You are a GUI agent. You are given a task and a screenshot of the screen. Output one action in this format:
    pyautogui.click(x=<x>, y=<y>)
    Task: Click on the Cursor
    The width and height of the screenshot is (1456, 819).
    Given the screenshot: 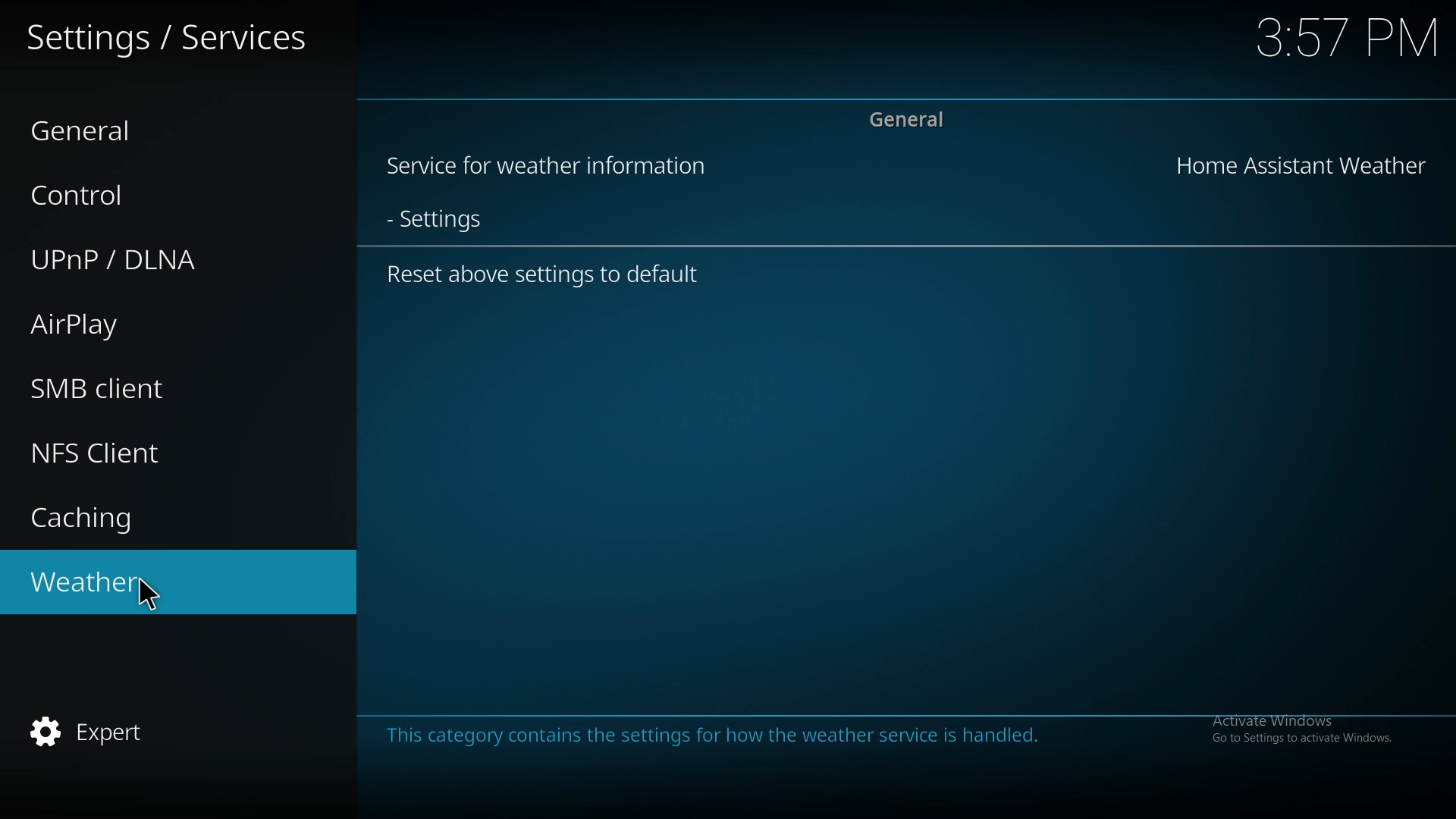 What is the action you would take?
    pyautogui.click(x=155, y=603)
    